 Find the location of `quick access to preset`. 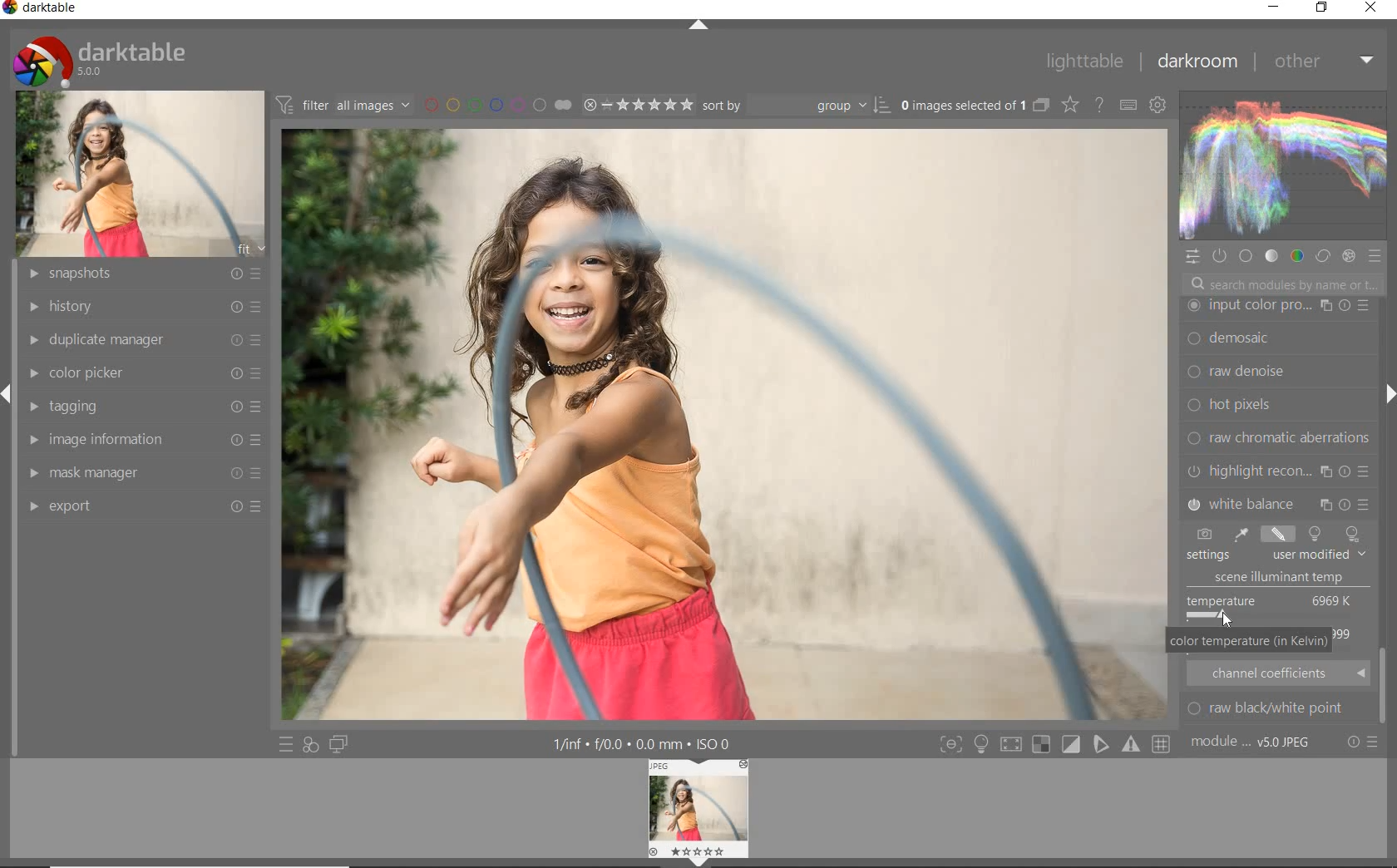

quick access to preset is located at coordinates (286, 743).